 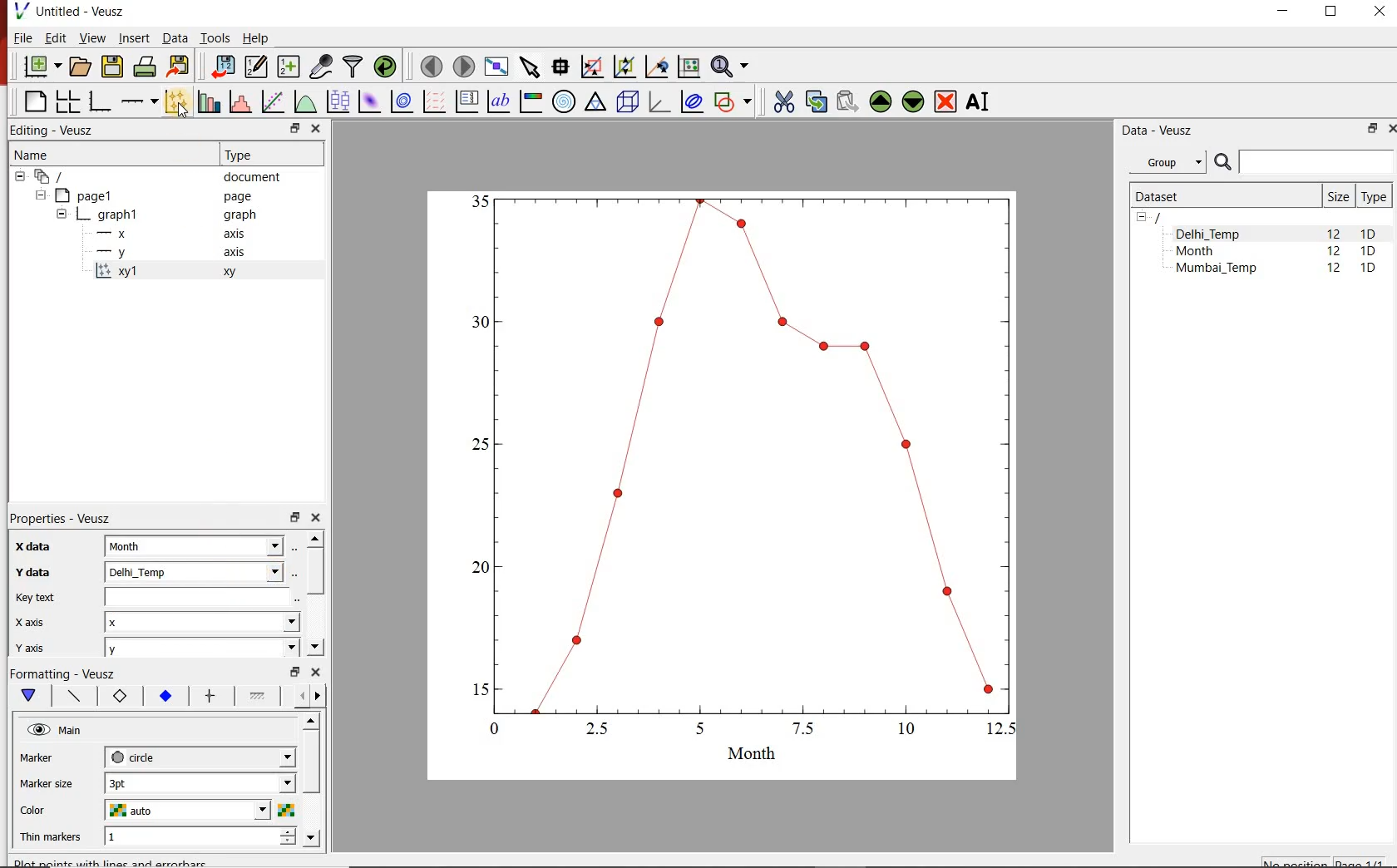 What do you see at coordinates (979, 102) in the screenshot?
I see `renames the selected widget` at bounding box center [979, 102].